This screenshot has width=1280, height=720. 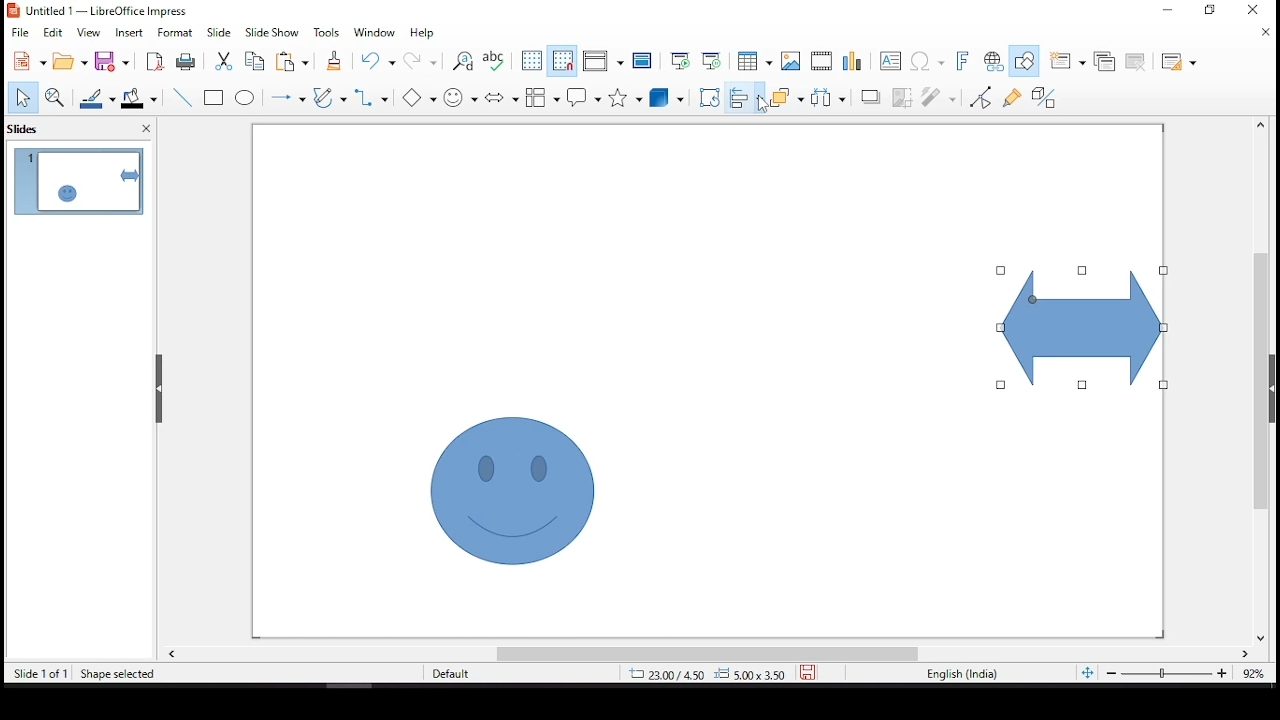 I want to click on charts, so click(x=855, y=63).